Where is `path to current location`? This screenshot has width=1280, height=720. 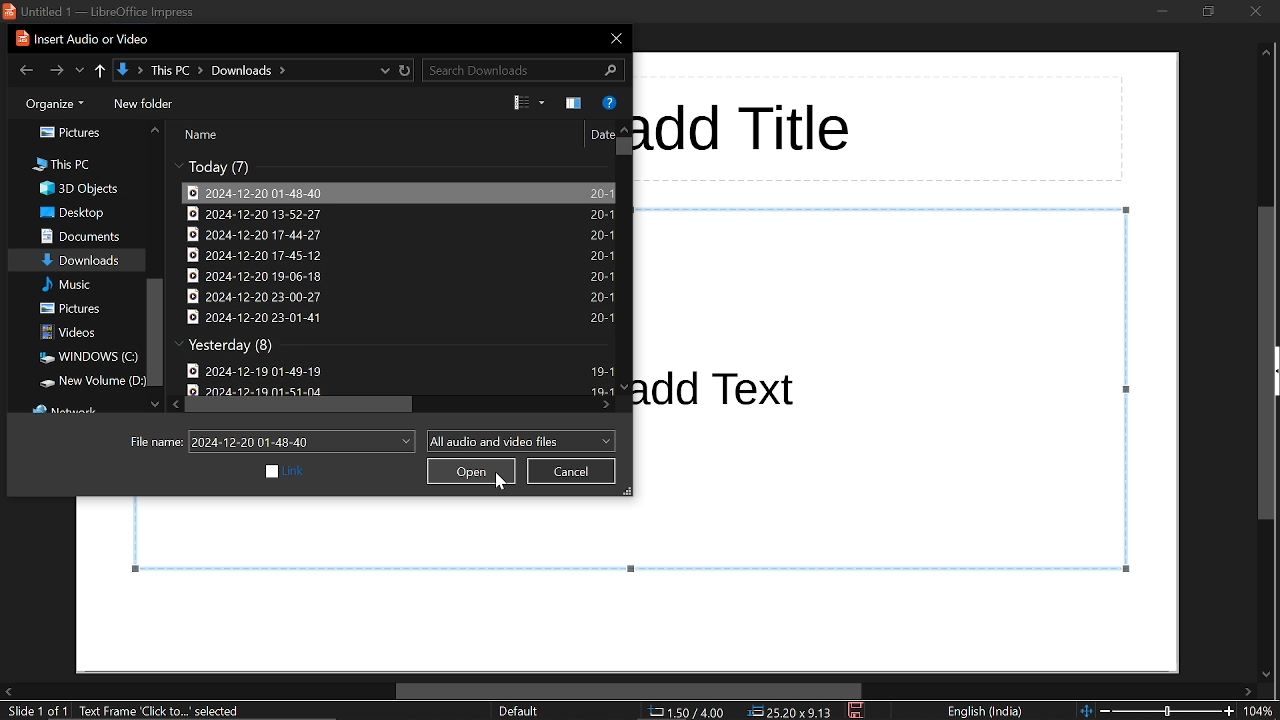 path to current location is located at coordinates (252, 69).